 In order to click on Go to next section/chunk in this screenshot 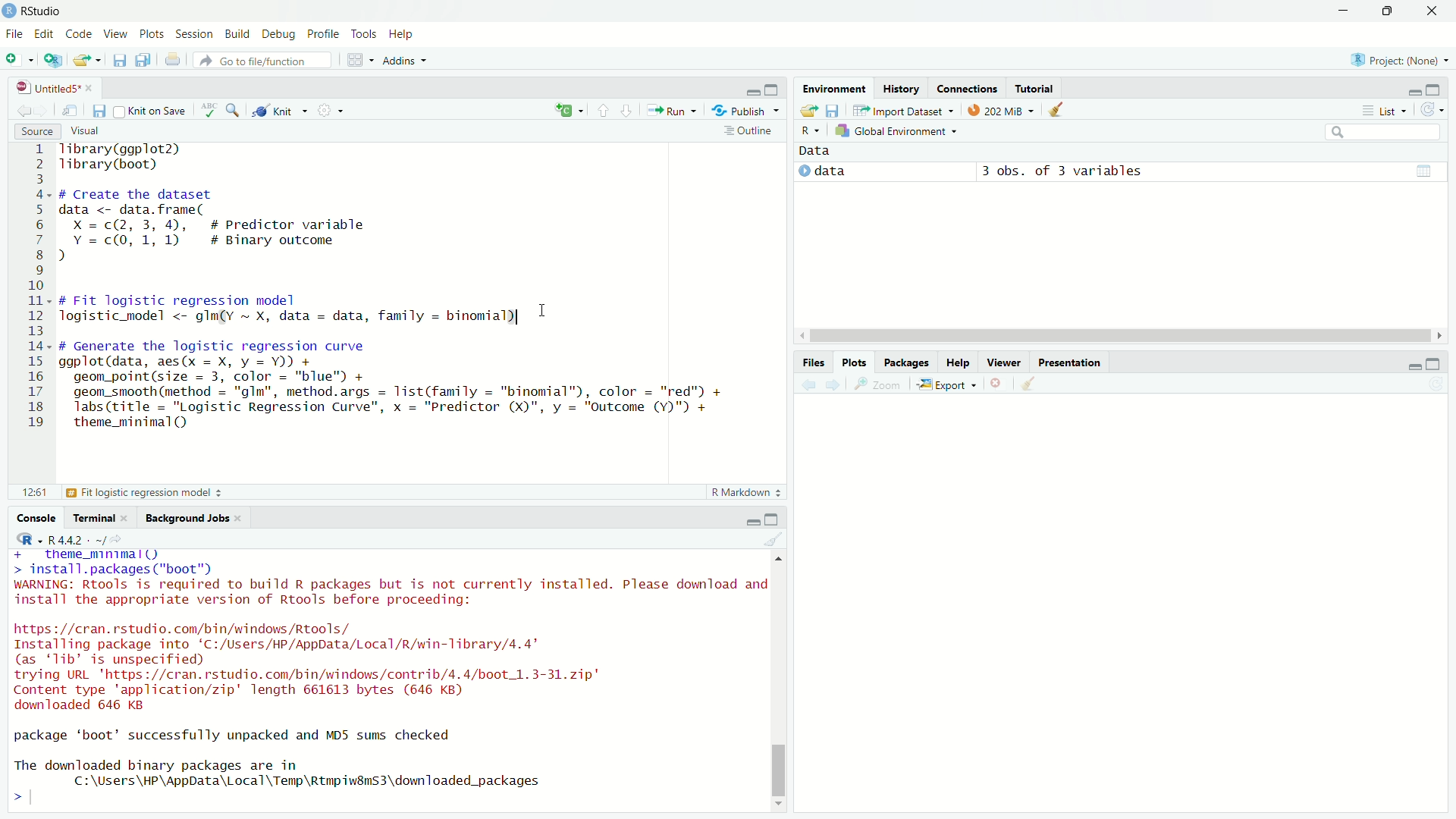, I will do `click(627, 111)`.